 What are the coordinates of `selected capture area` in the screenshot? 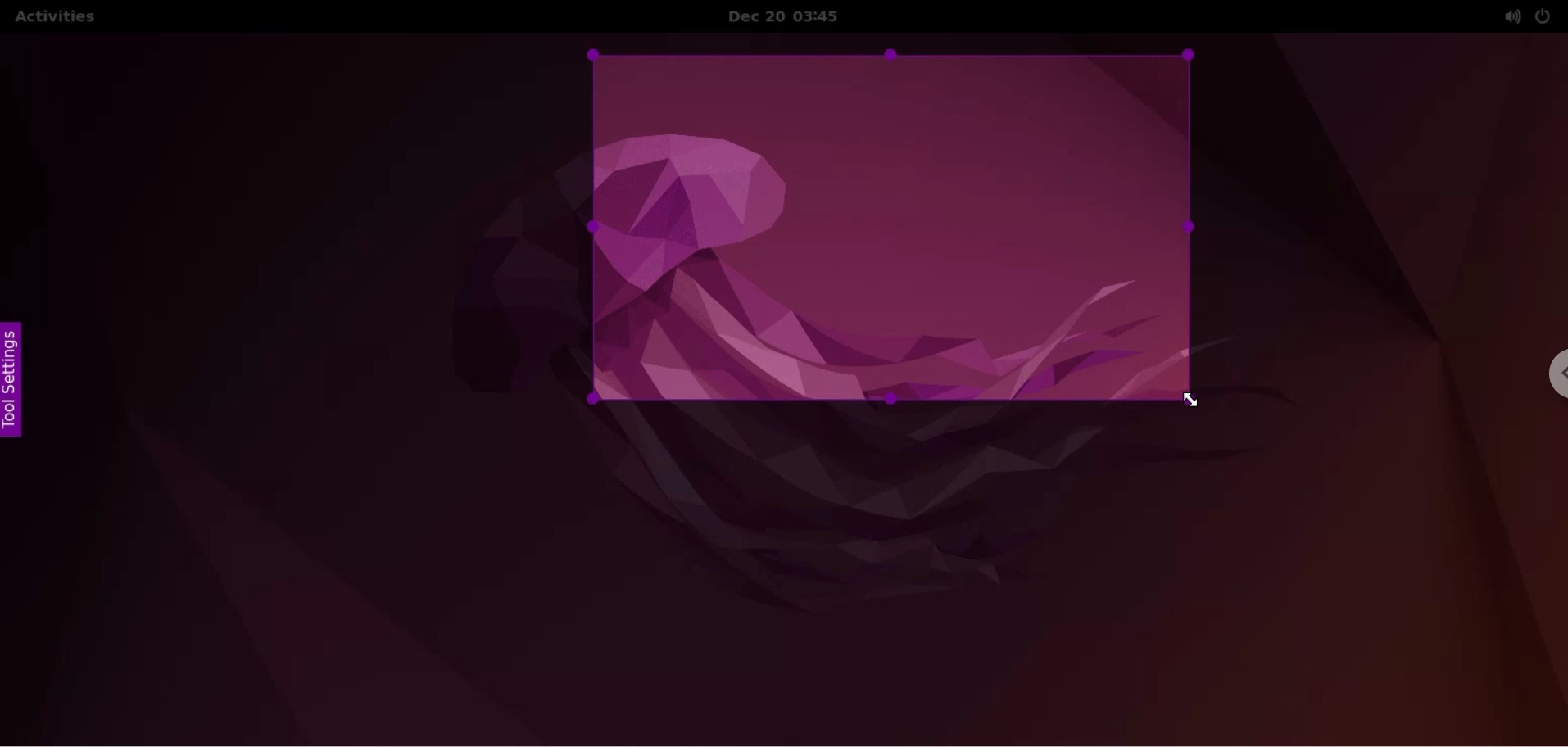 It's located at (891, 226).